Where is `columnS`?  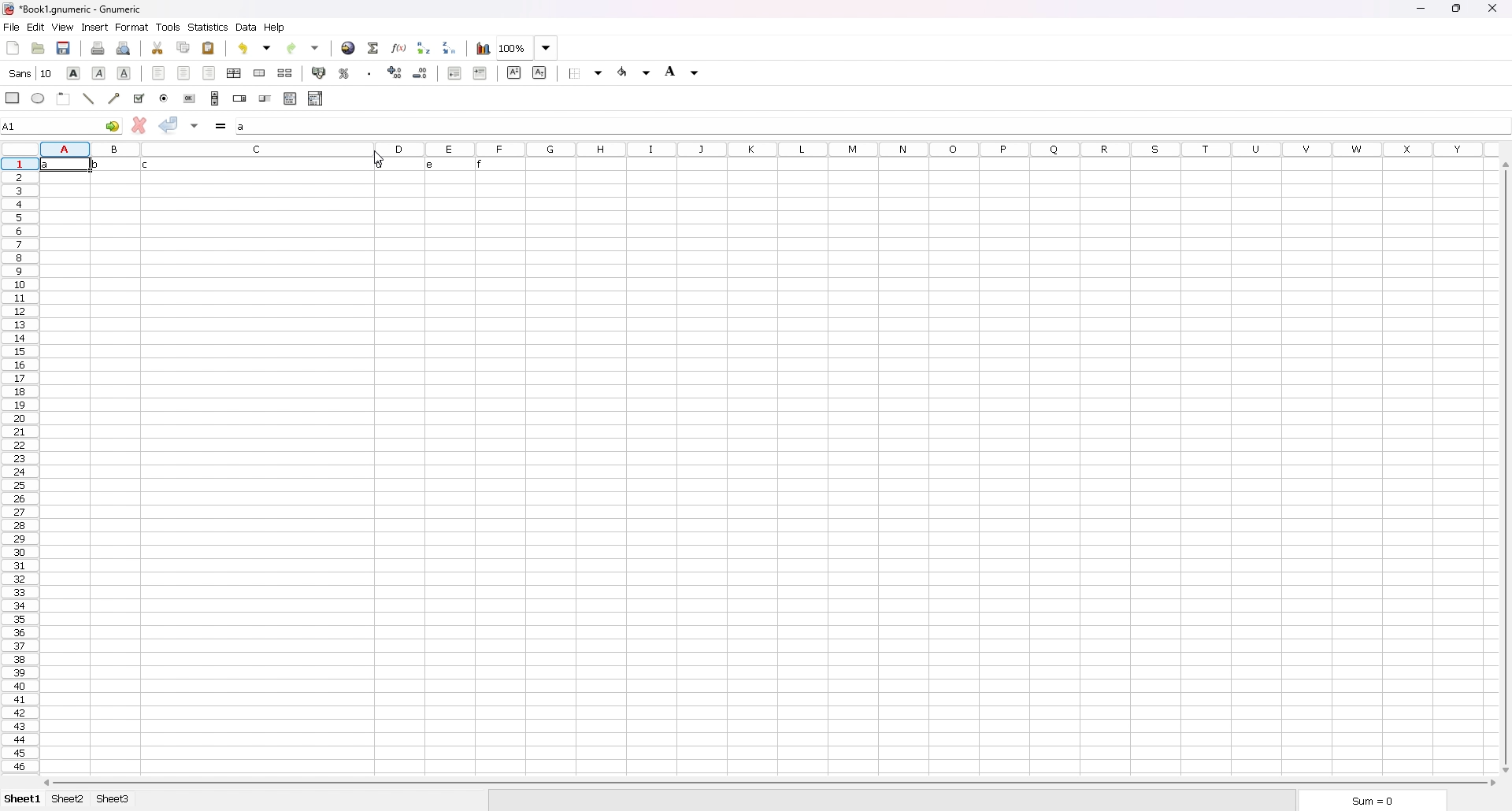
columnS is located at coordinates (769, 146).